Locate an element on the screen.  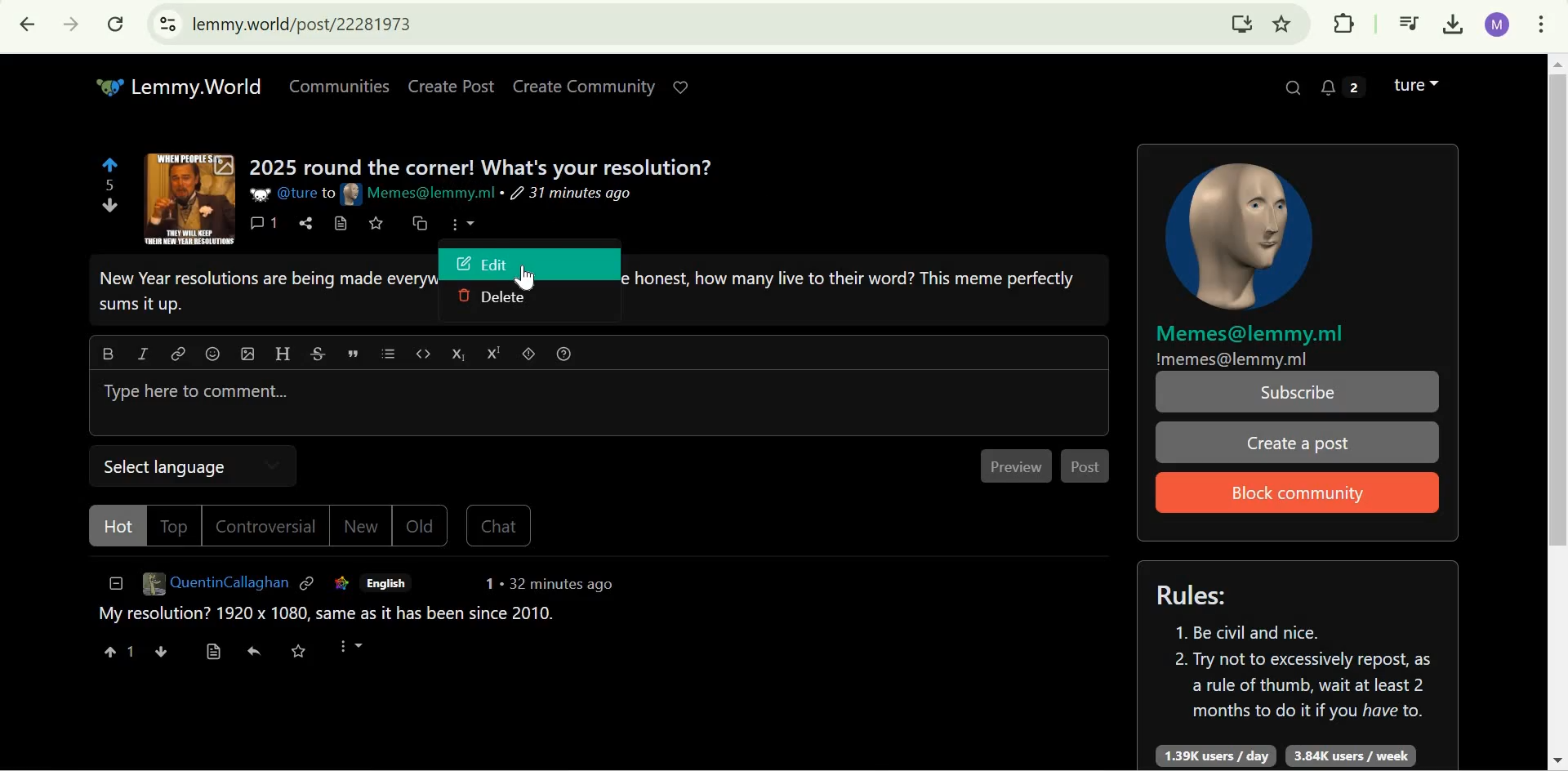
view source is located at coordinates (213, 653).